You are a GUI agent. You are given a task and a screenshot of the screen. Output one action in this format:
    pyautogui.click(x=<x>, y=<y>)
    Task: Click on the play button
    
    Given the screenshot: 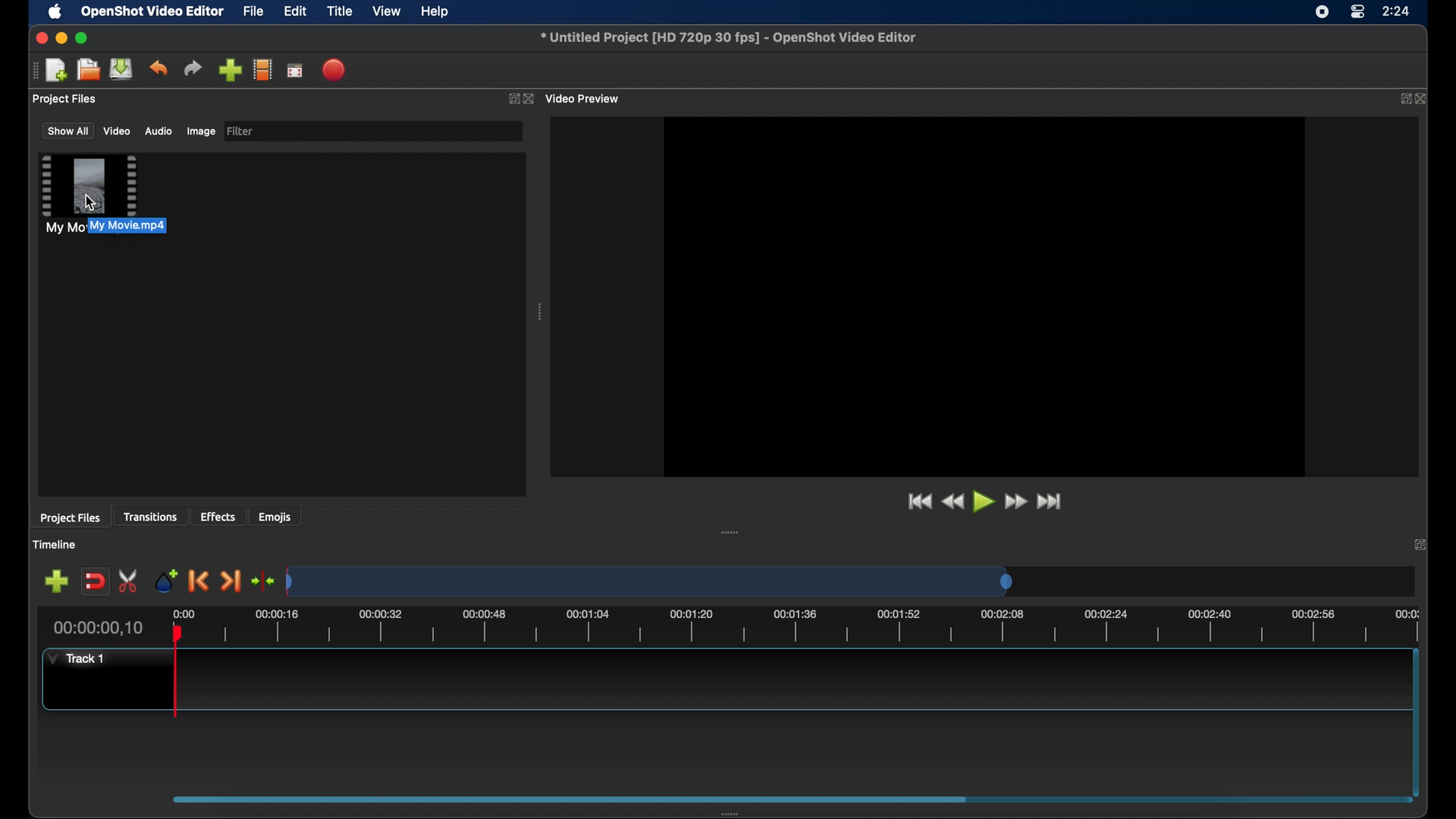 What is the action you would take?
    pyautogui.click(x=983, y=502)
    